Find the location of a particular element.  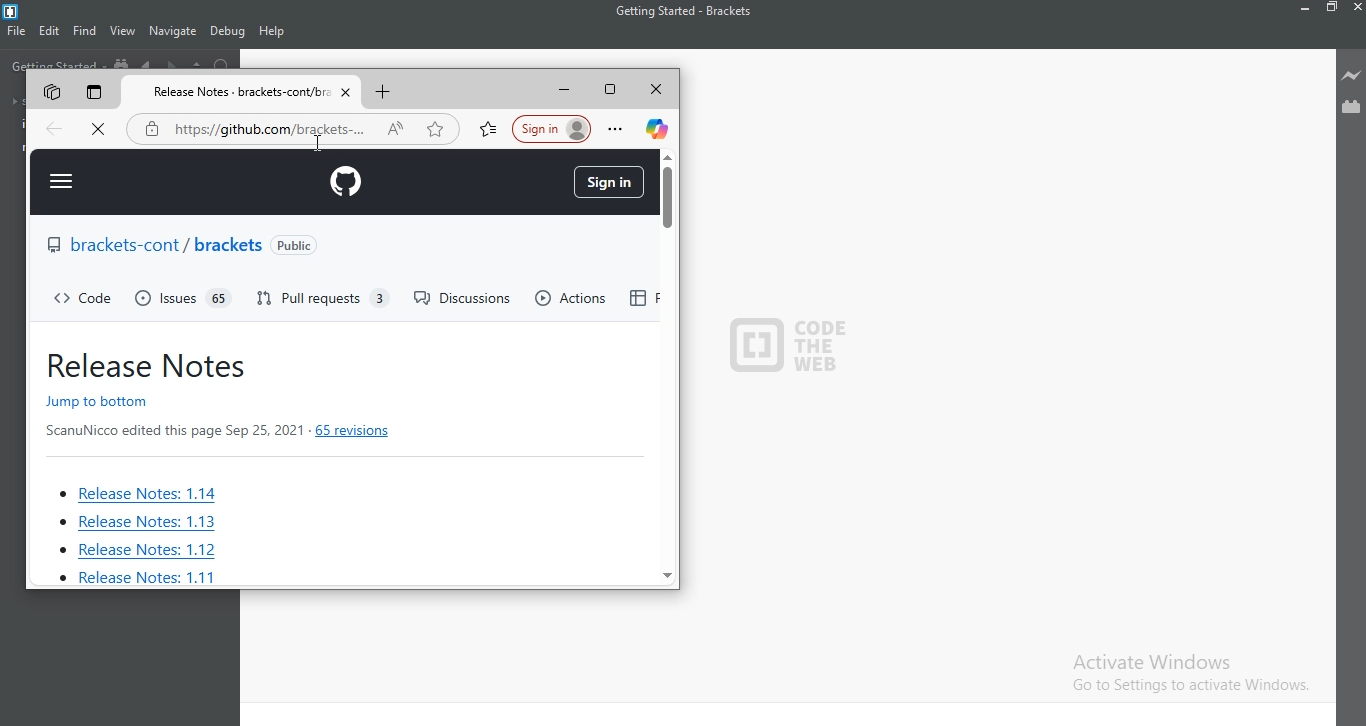

release notes 1.13 is located at coordinates (137, 522).